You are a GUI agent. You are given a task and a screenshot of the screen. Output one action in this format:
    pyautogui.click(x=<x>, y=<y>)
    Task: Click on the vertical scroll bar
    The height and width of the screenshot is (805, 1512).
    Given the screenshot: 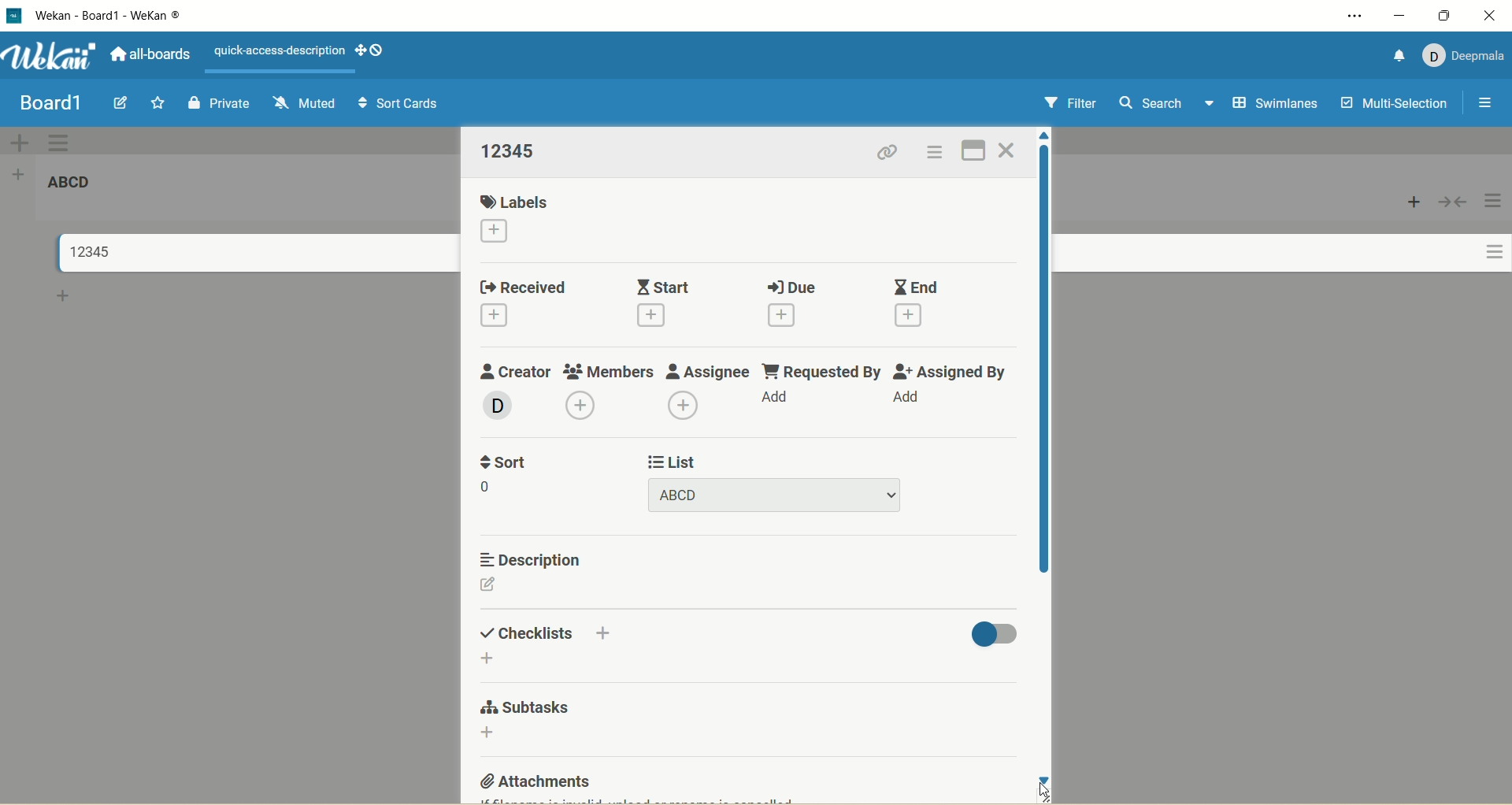 What is the action you would take?
    pyautogui.click(x=1043, y=380)
    